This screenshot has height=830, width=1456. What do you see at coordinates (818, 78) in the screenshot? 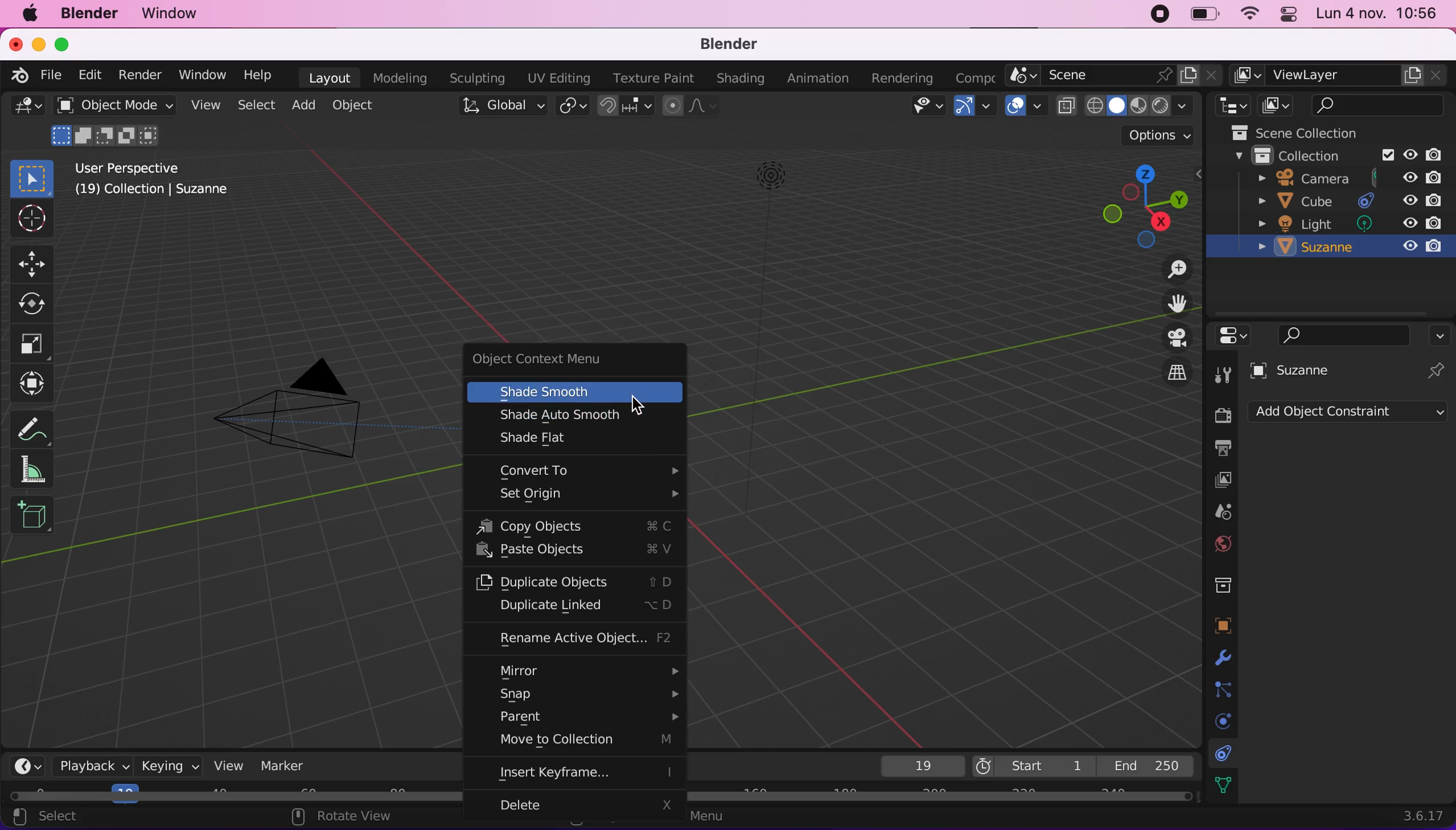
I see `animation` at bounding box center [818, 78].